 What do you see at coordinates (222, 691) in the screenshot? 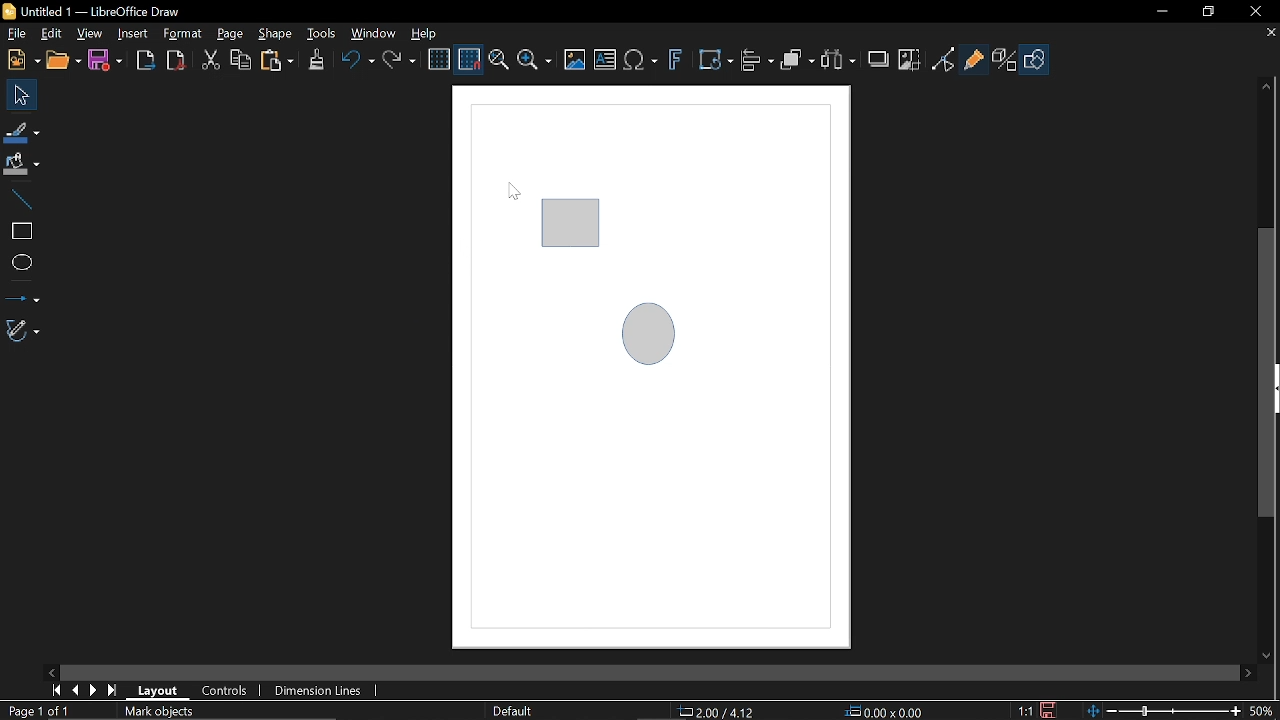
I see `Controls` at bounding box center [222, 691].